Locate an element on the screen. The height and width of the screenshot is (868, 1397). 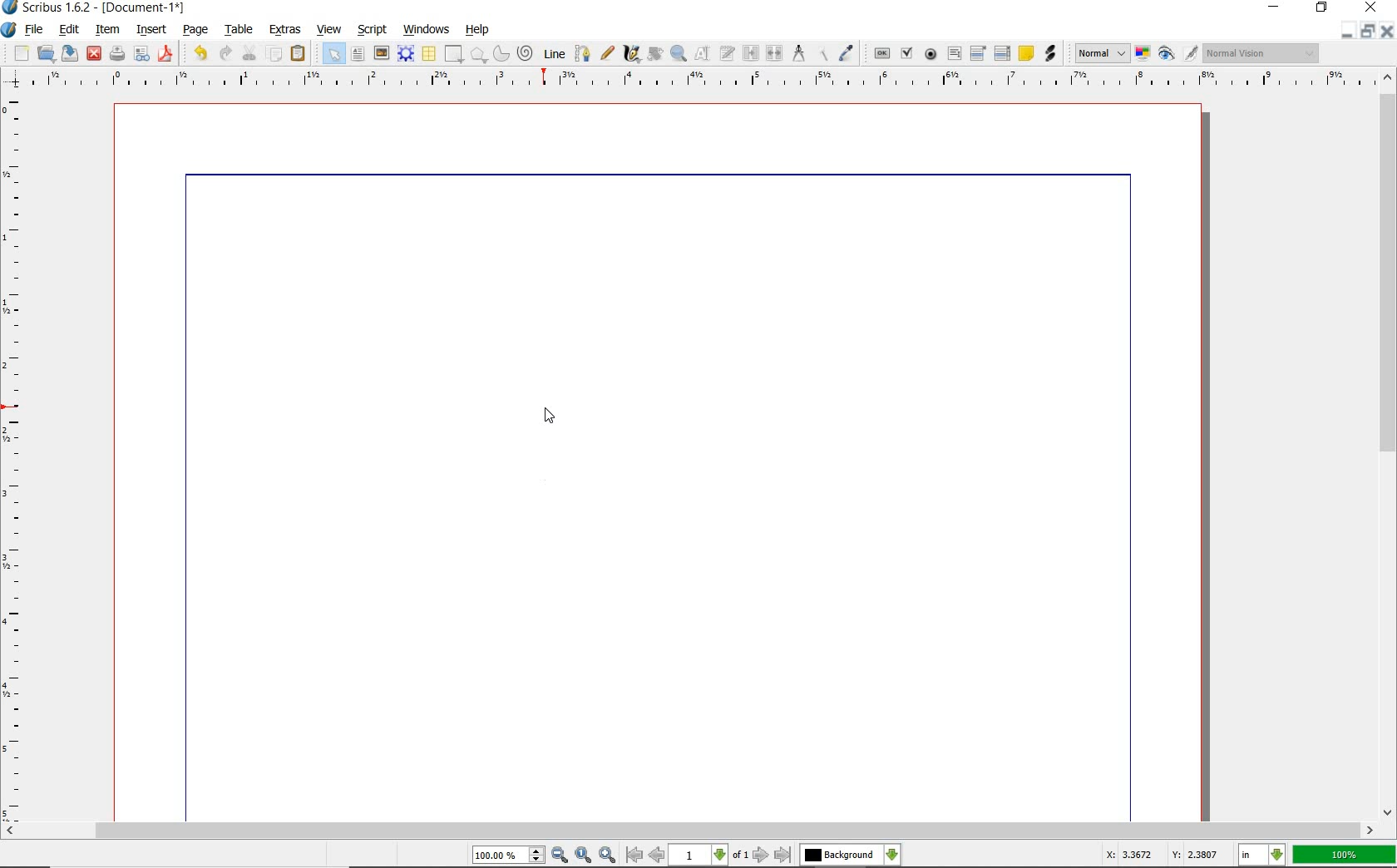
arc is located at coordinates (501, 54).